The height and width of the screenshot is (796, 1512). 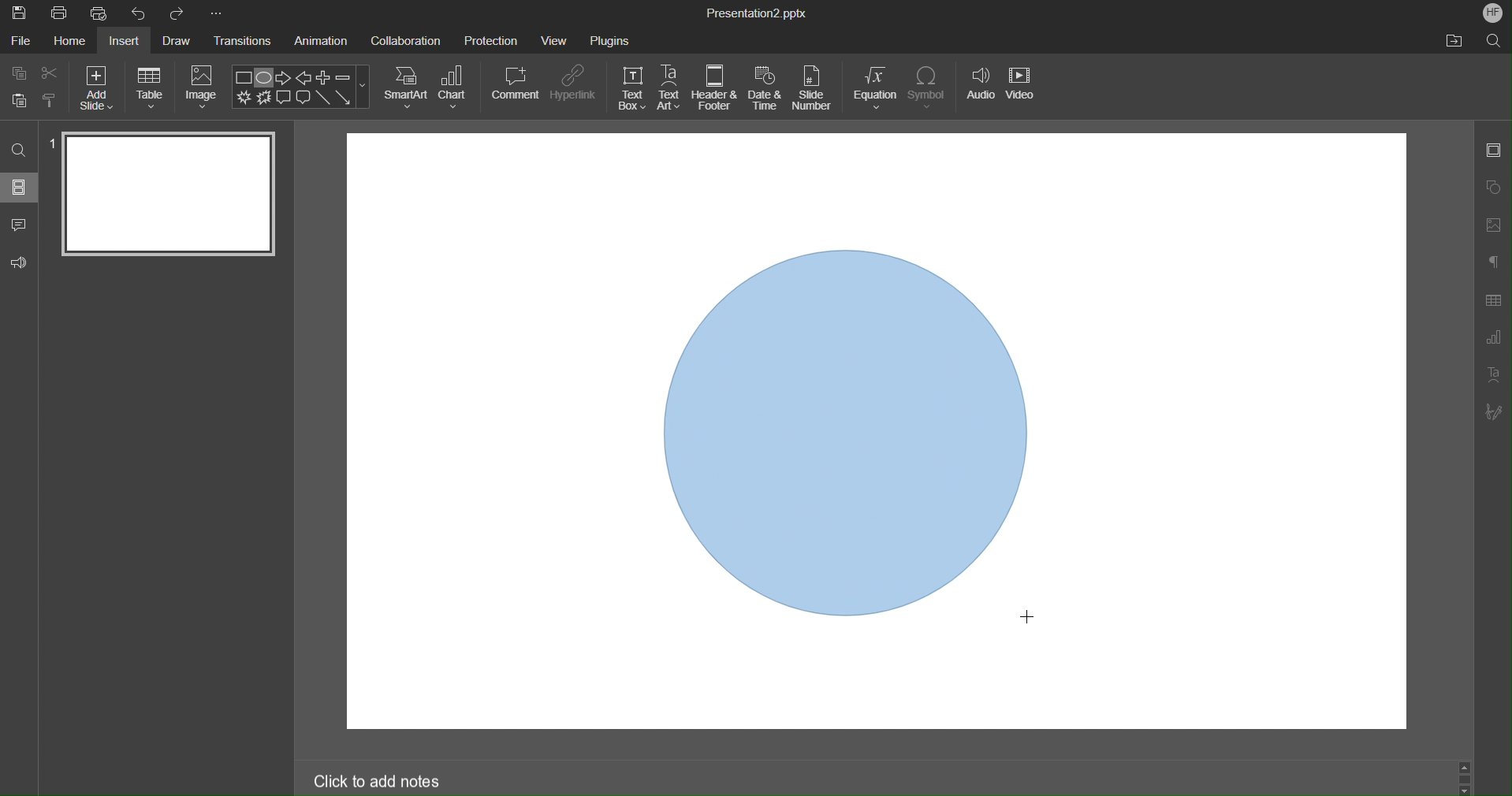 What do you see at coordinates (324, 42) in the screenshot?
I see `Animation` at bounding box center [324, 42].